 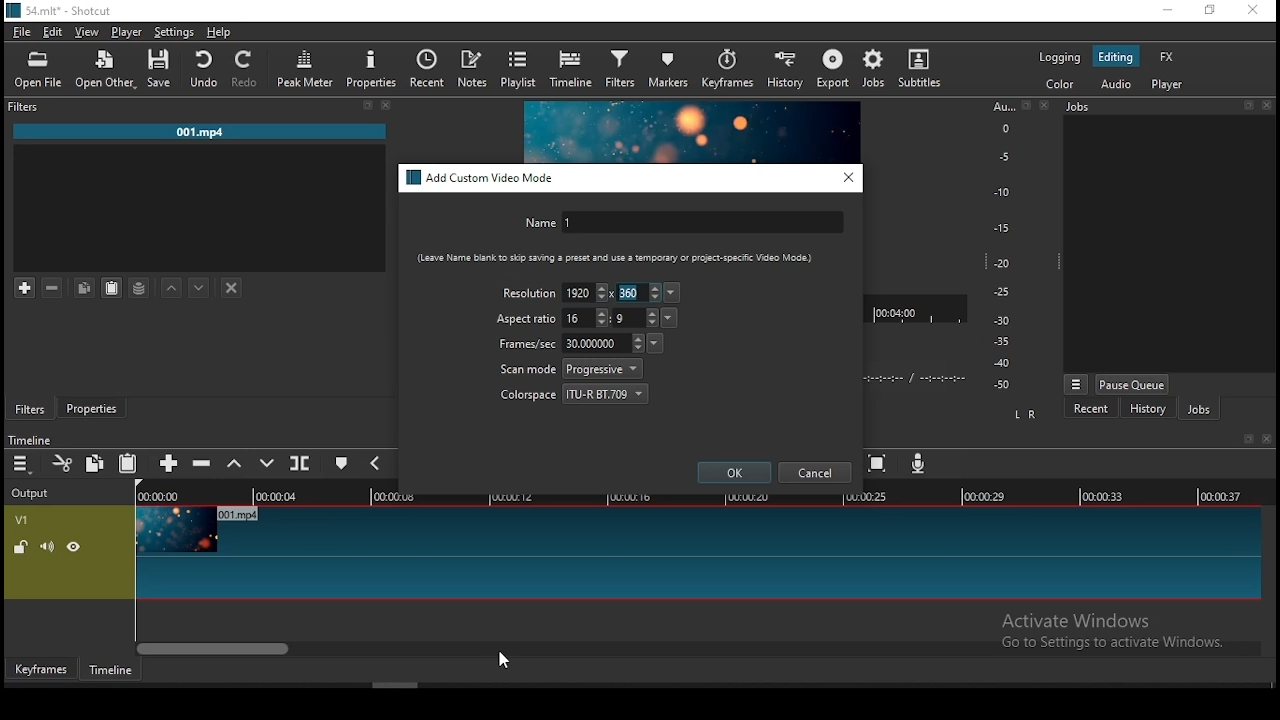 I want to click on timeline, so click(x=111, y=670).